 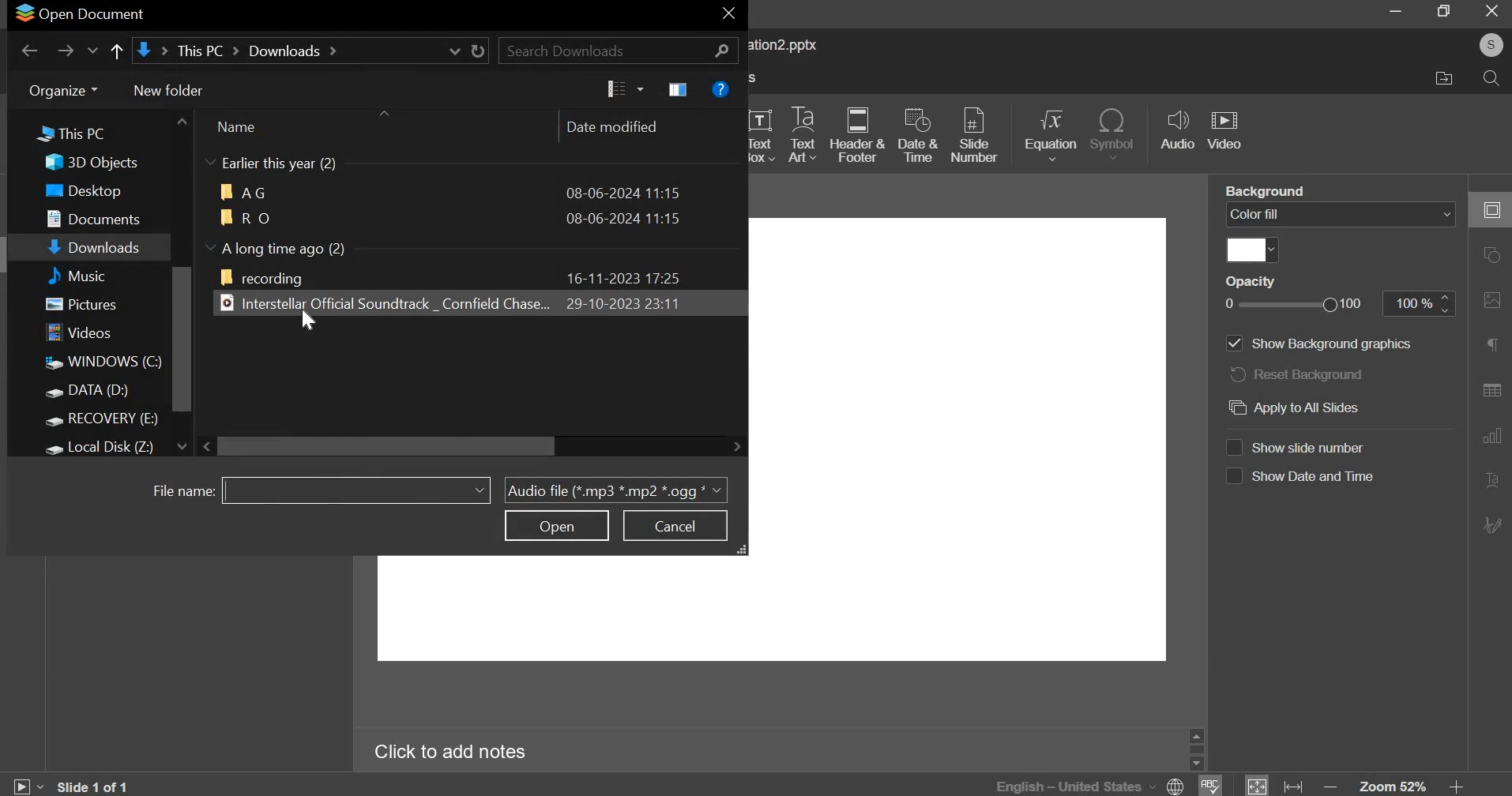 I want to click on table settings, so click(x=1491, y=389).